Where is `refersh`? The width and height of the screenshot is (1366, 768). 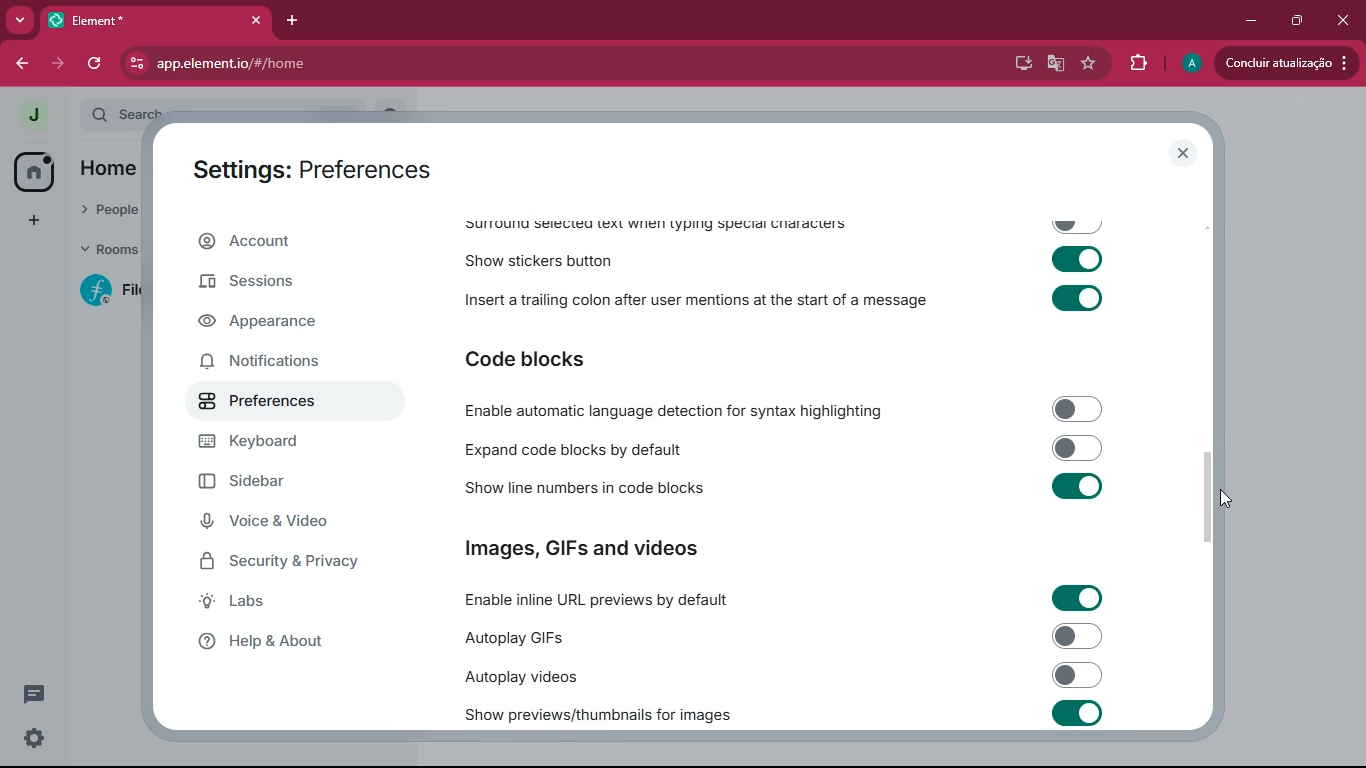
refersh is located at coordinates (96, 63).